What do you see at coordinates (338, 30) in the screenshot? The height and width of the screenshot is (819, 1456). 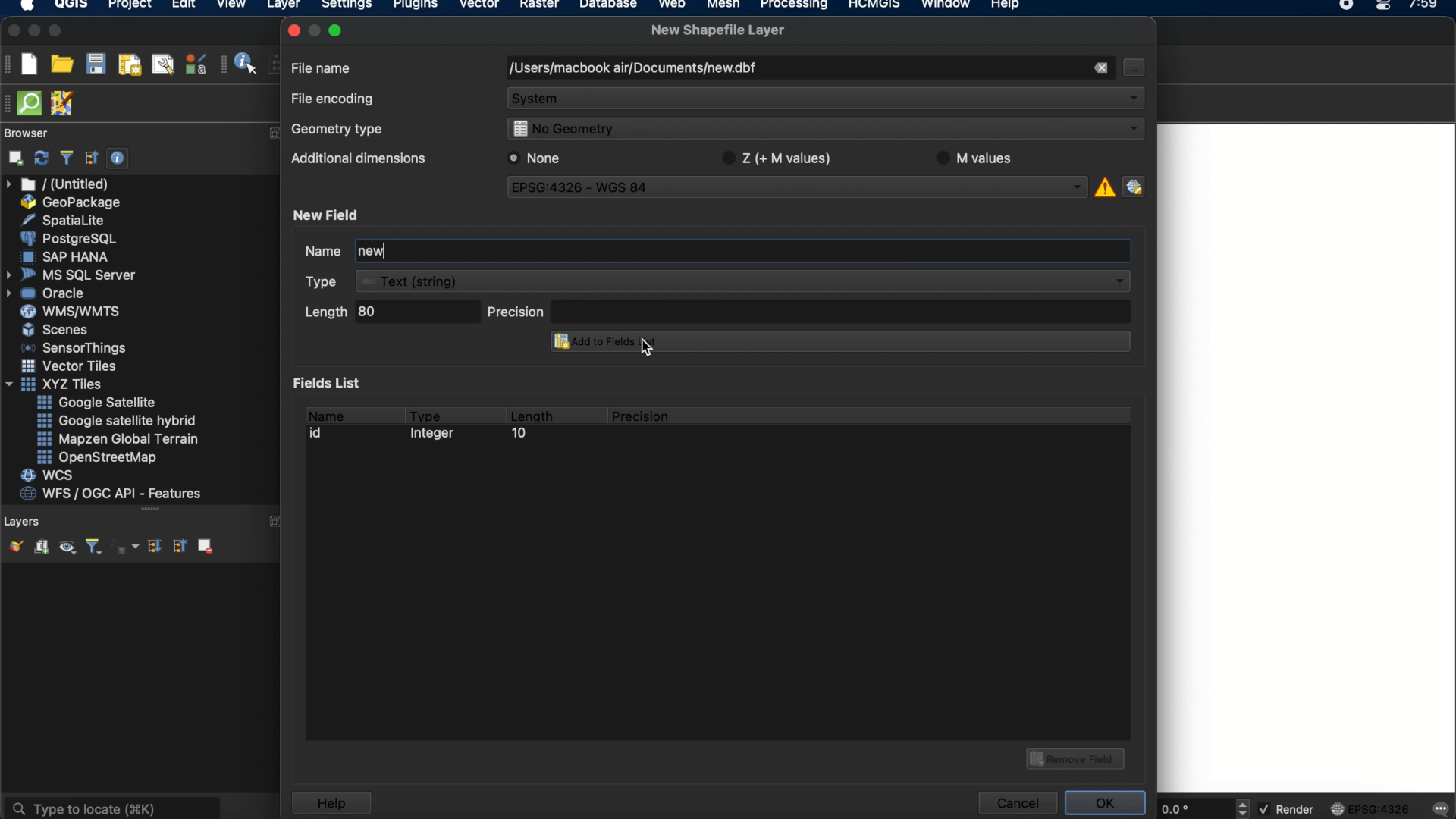 I see `maximize` at bounding box center [338, 30].